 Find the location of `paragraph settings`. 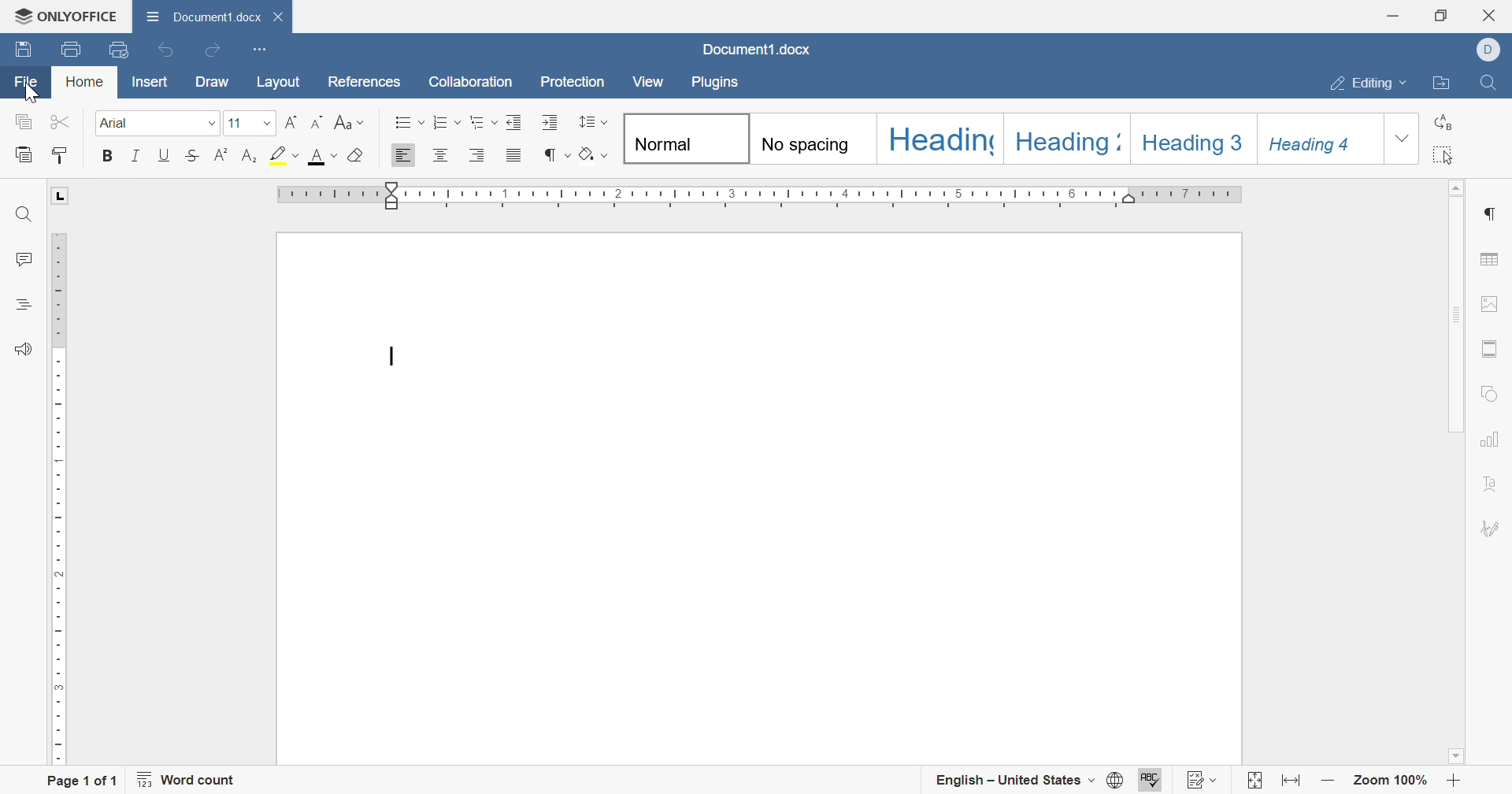

paragraph settings is located at coordinates (1488, 213).